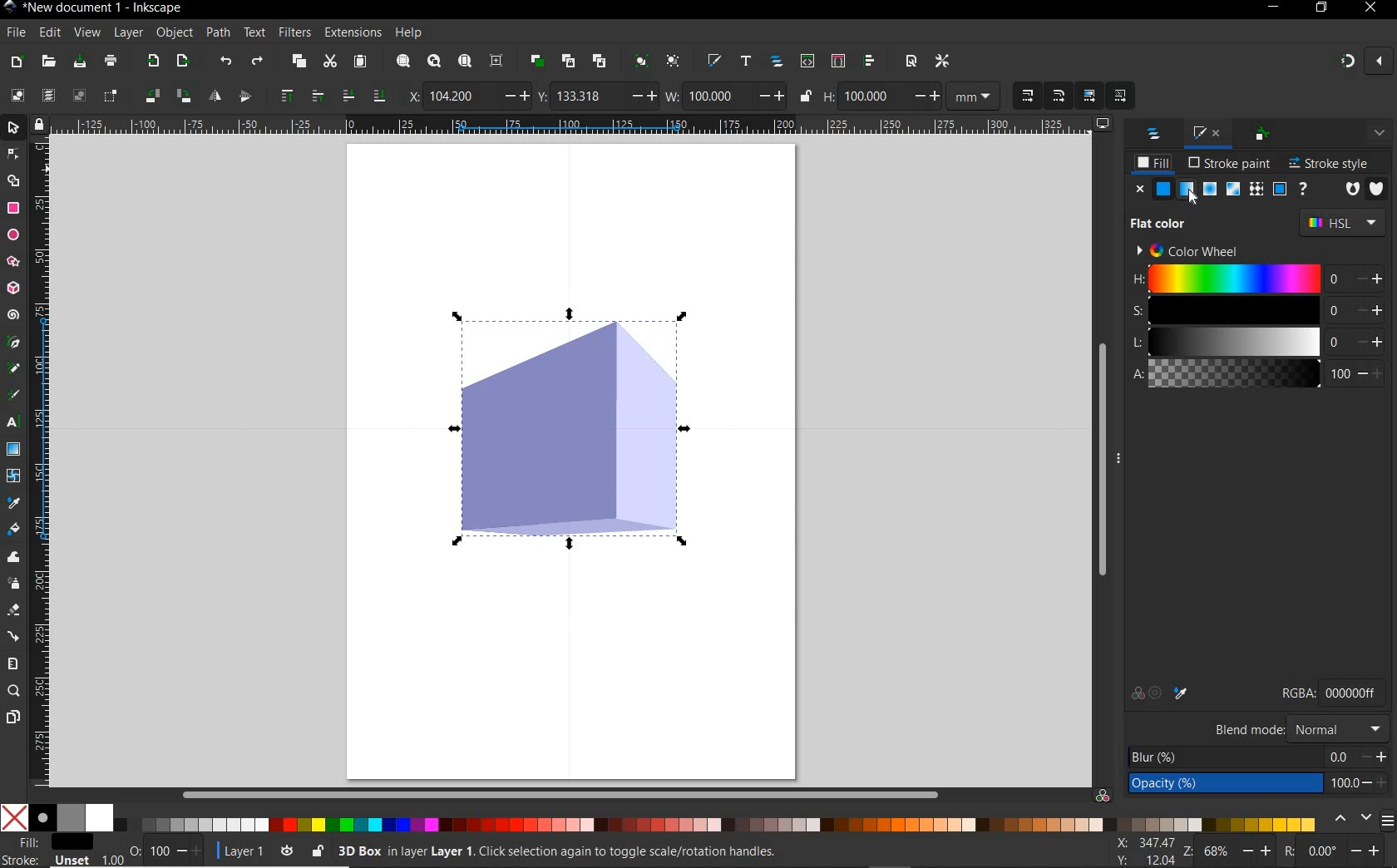  What do you see at coordinates (1105, 123) in the screenshot?
I see `computer icon` at bounding box center [1105, 123].